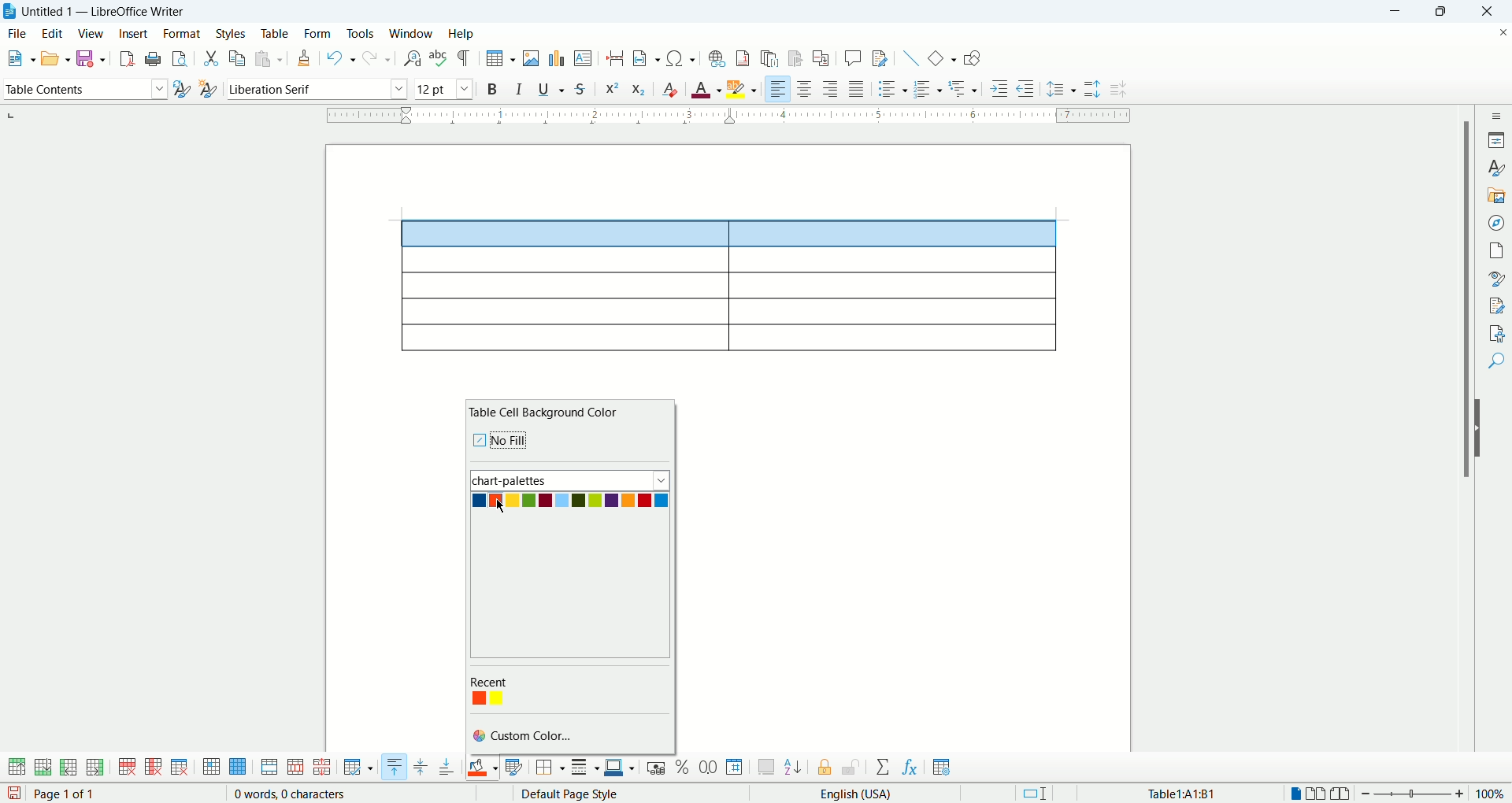 Image resolution: width=1512 pixels, height=803 pixels. Describe the element at coordinates (715, 57) in the screenshot. I see `insert hyperlink` at that location.